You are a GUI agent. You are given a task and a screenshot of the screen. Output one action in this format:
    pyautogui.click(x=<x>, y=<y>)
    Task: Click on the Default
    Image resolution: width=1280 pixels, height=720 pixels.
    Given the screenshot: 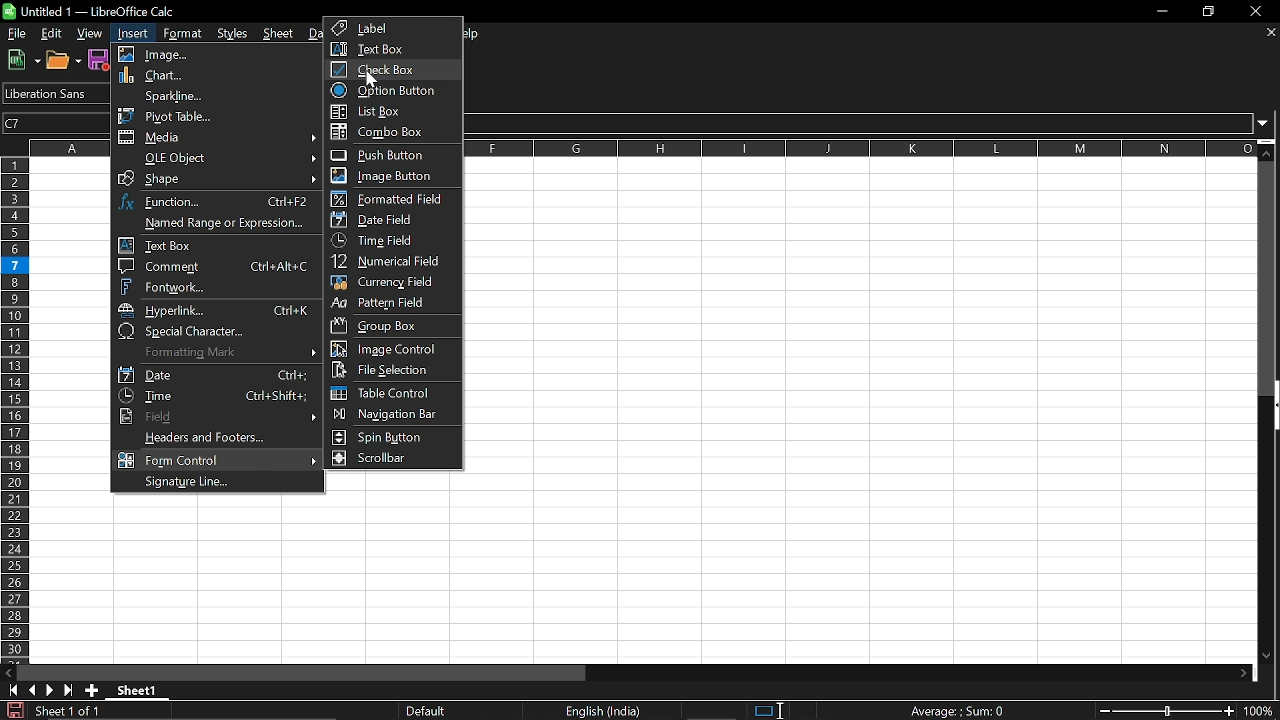 What is the action you would take?
    pyautogui.click(x=431, y=711)
    